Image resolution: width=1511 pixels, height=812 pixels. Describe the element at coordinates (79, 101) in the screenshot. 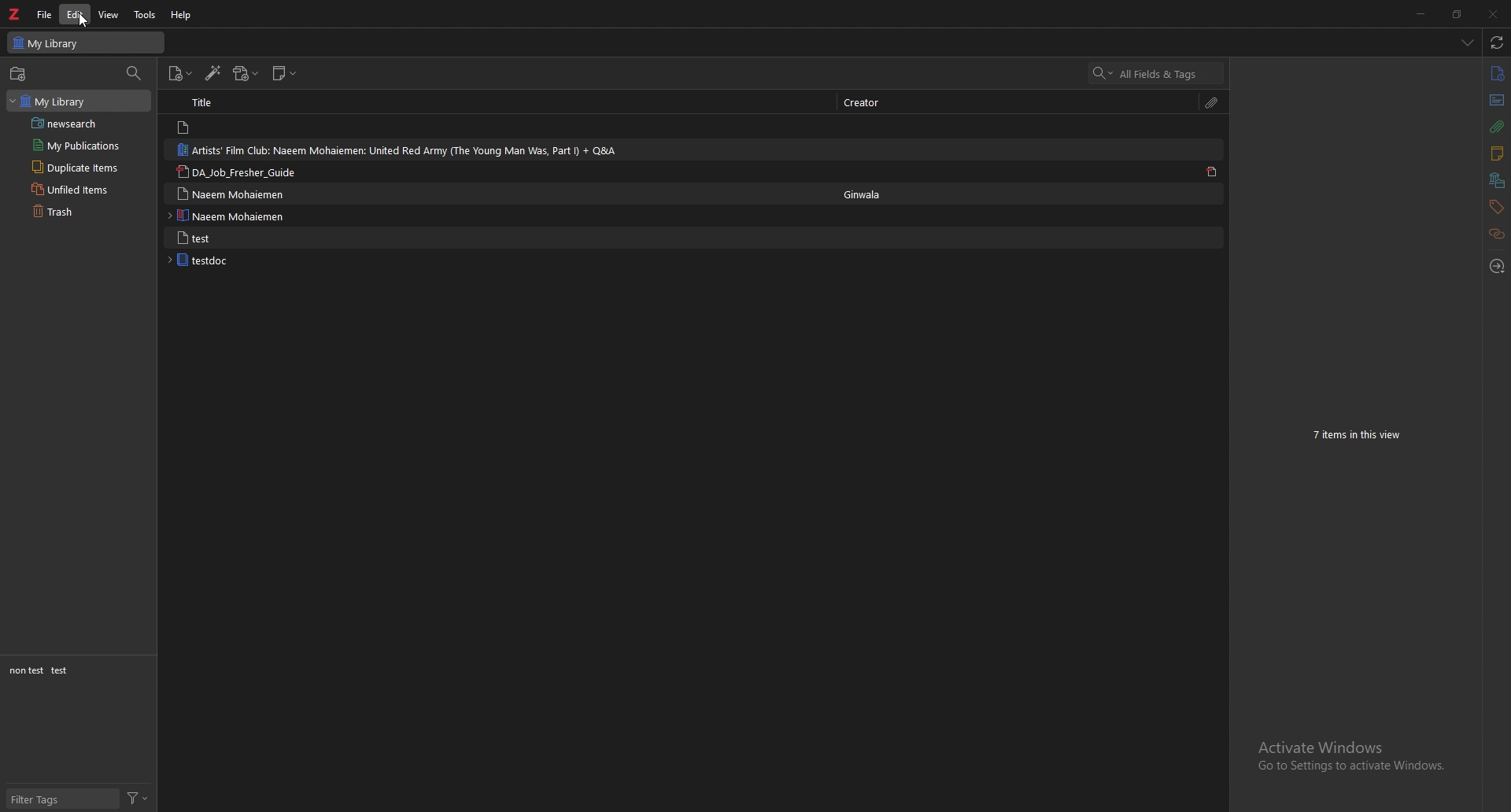

I see `my library` at that location.